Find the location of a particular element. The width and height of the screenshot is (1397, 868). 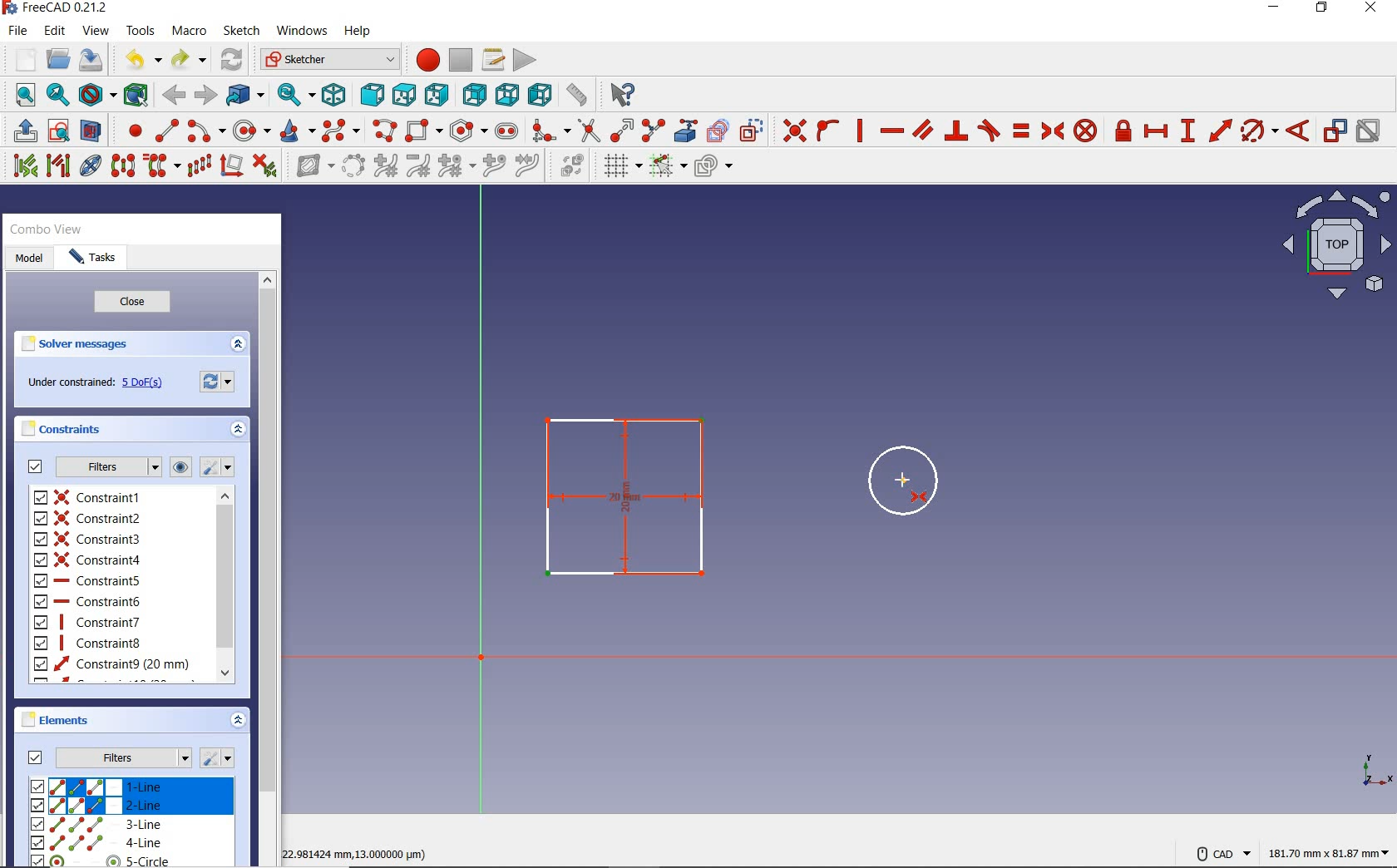

select associated geometry is located at coordinates (57, 167).